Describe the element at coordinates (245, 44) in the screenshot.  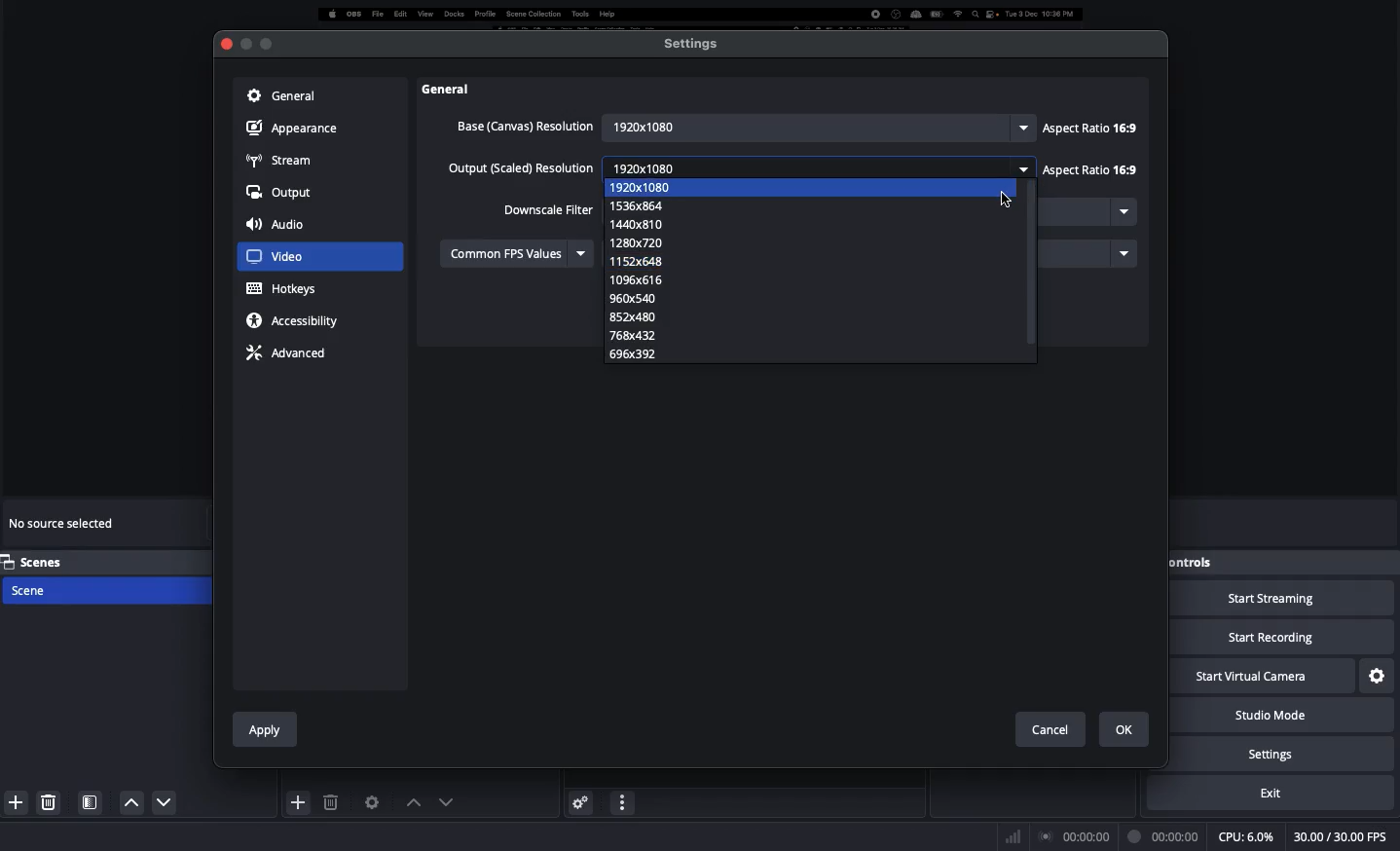
I see `Button` at that location.